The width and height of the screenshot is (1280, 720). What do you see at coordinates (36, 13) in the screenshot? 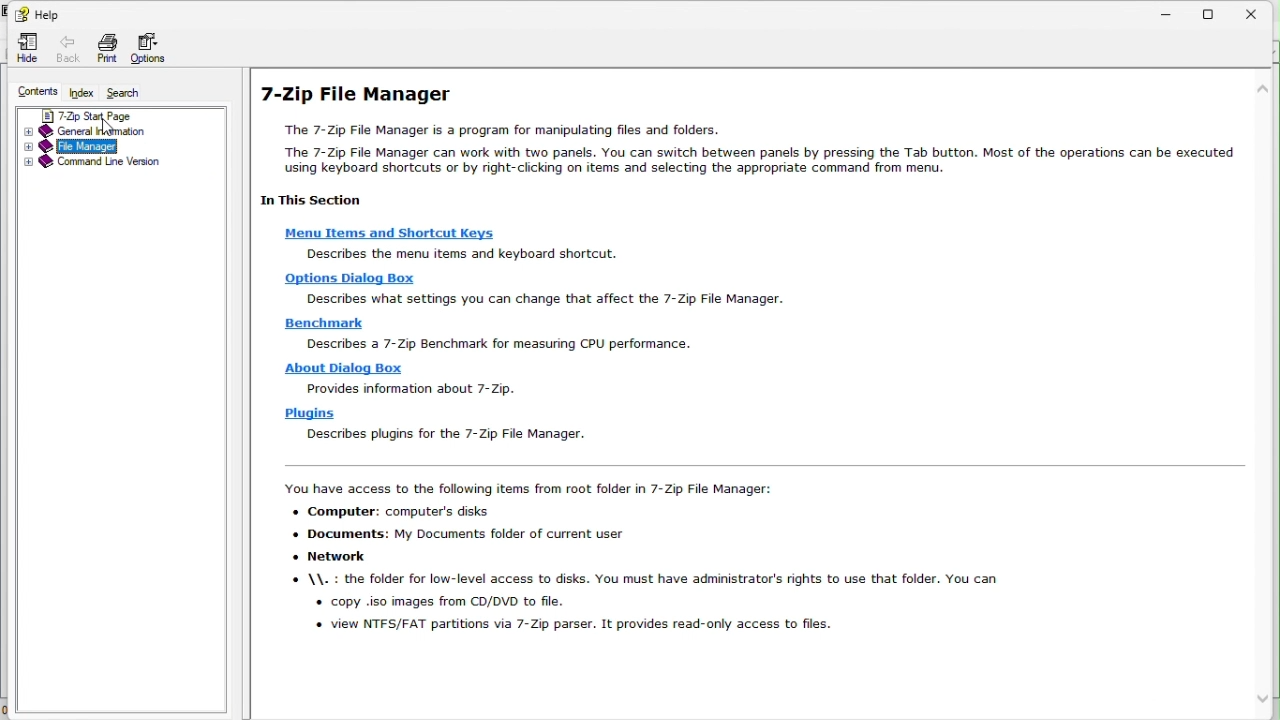
I see `` at bounding box center [36, 13].